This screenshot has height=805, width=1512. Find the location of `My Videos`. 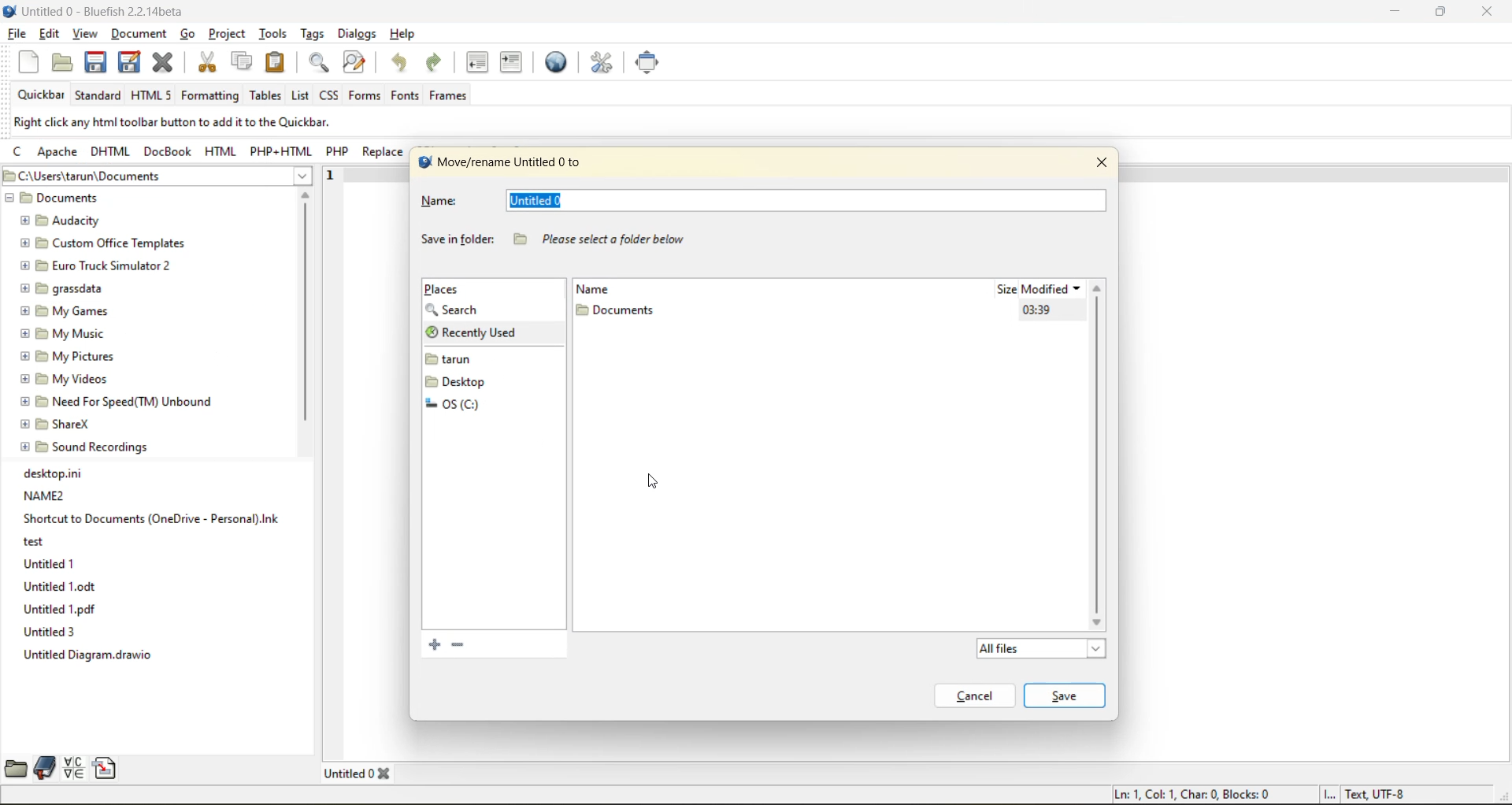

My Videos is located at coordinates (68, 380).